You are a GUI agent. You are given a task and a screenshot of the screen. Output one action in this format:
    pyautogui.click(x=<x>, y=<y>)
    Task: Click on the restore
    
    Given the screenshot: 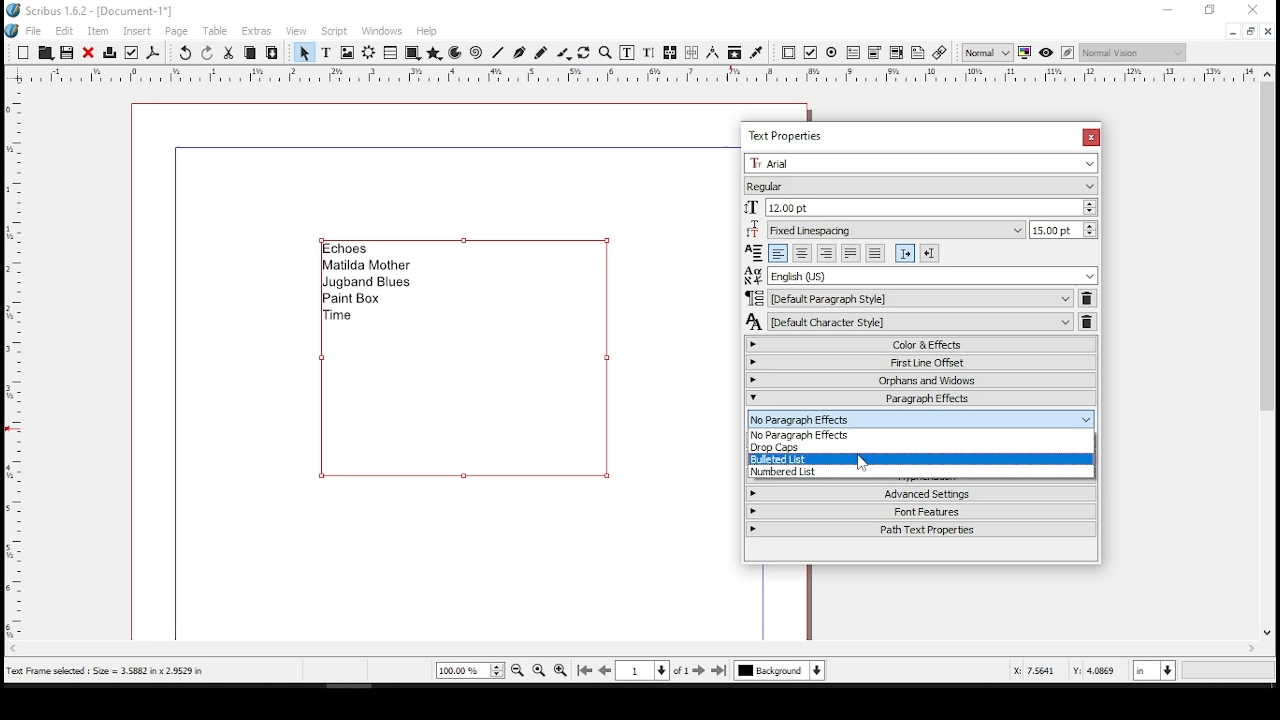 What is the action you would take?
    pyautogui.click(x=1249, y=31)
    